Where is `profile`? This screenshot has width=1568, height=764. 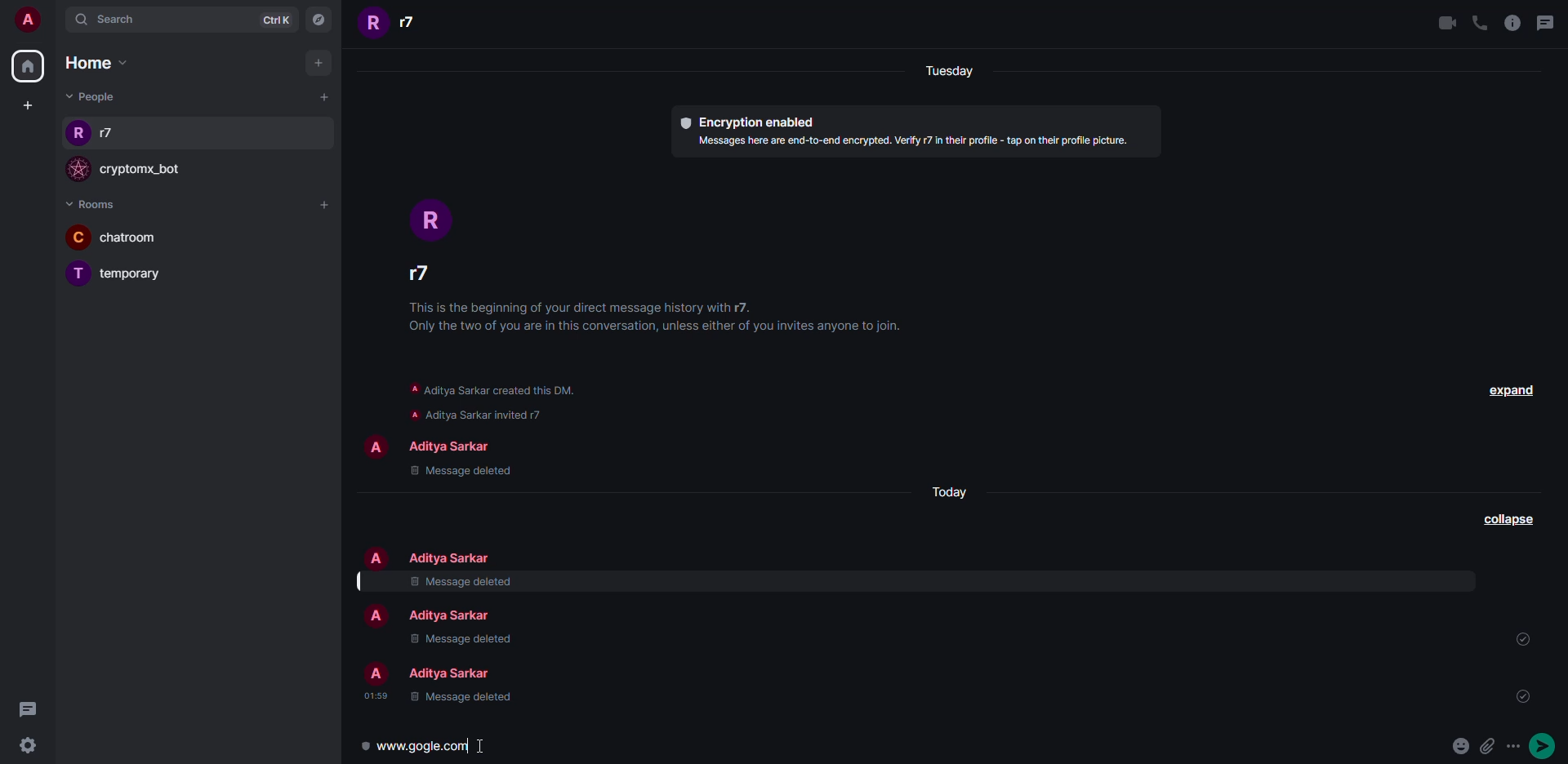
profile is located at coordinates (371, 444).